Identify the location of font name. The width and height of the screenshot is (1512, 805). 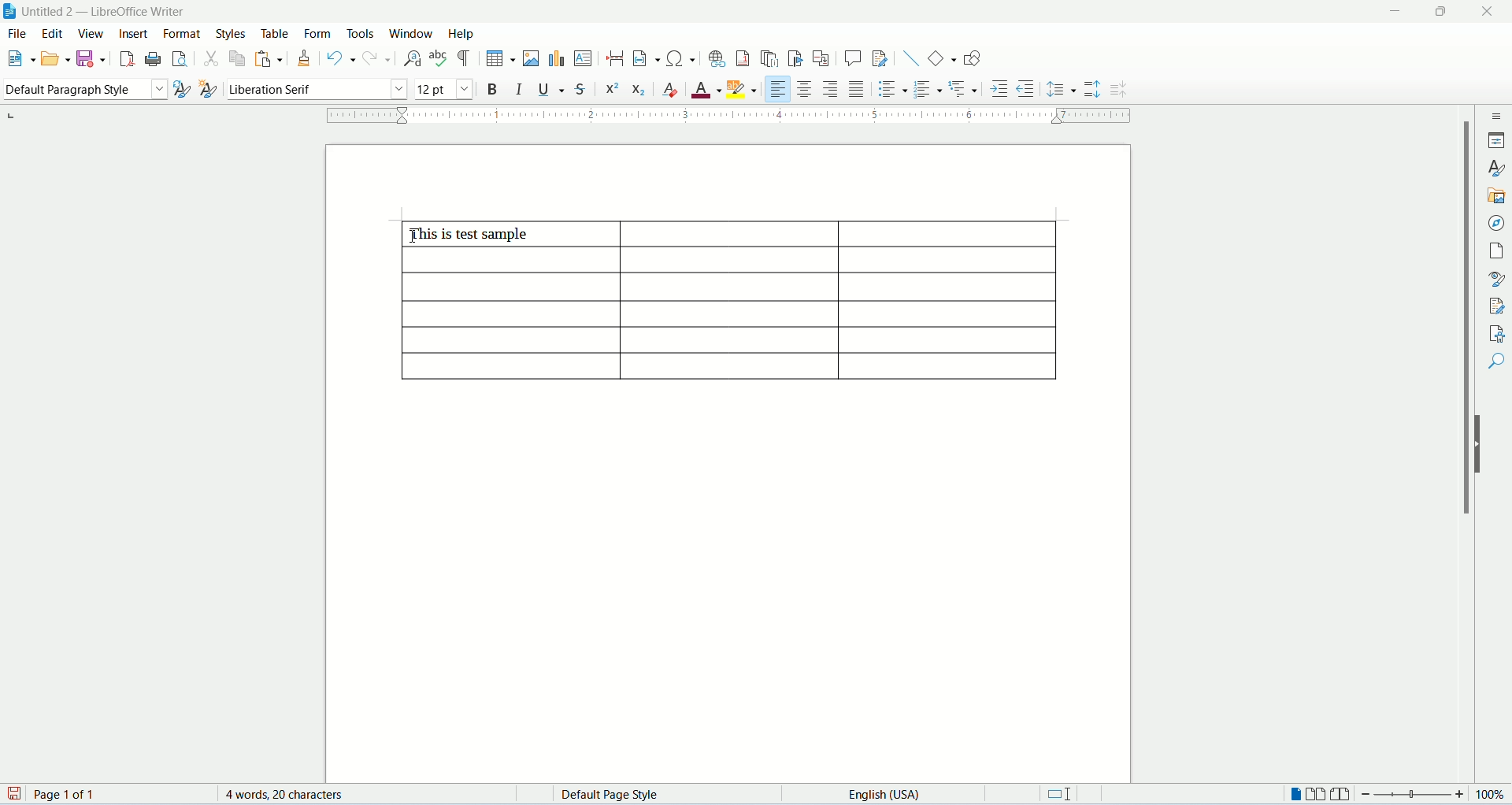
(317, 91).